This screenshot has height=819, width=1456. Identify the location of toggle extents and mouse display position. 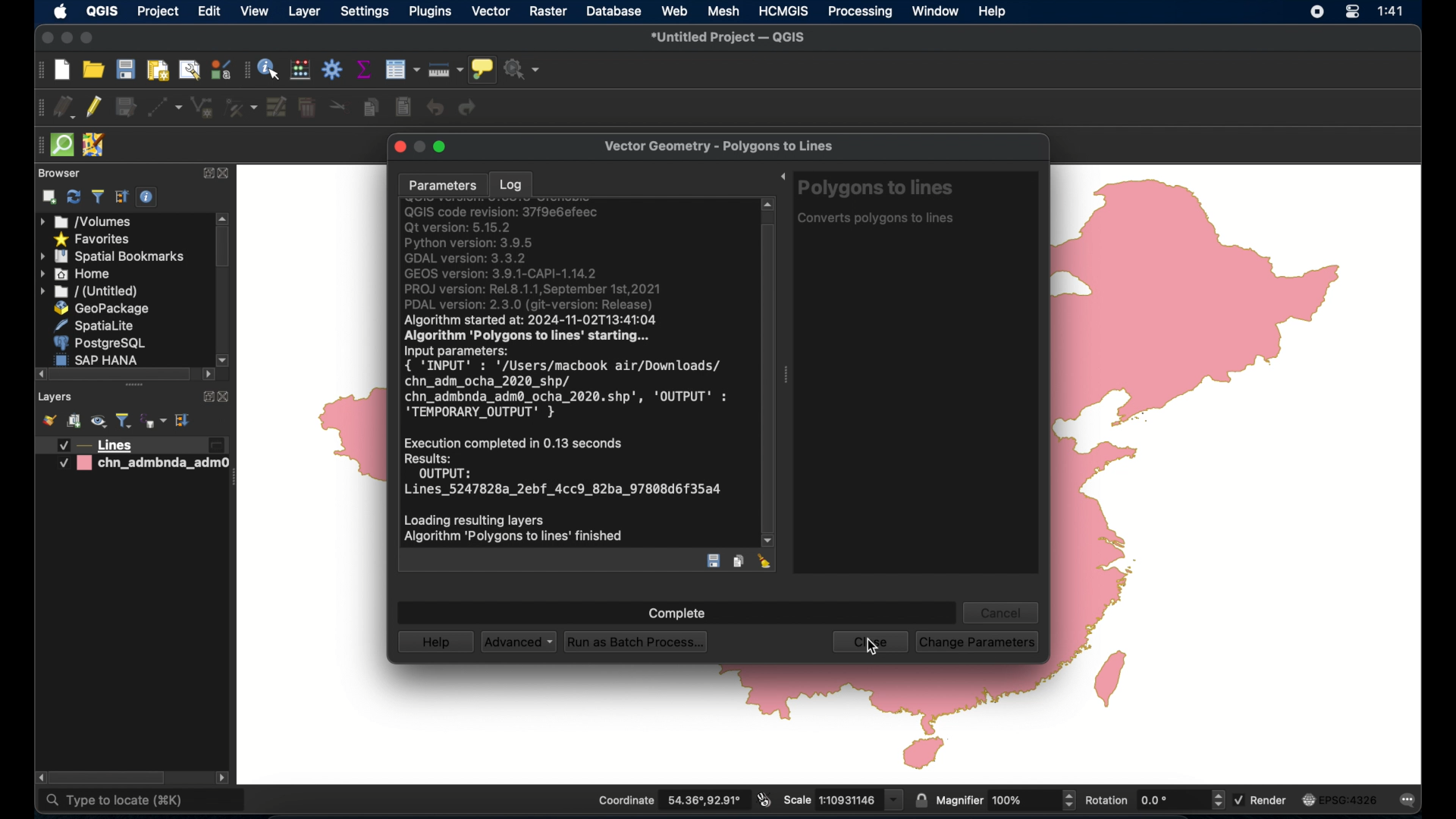
(764, 799).